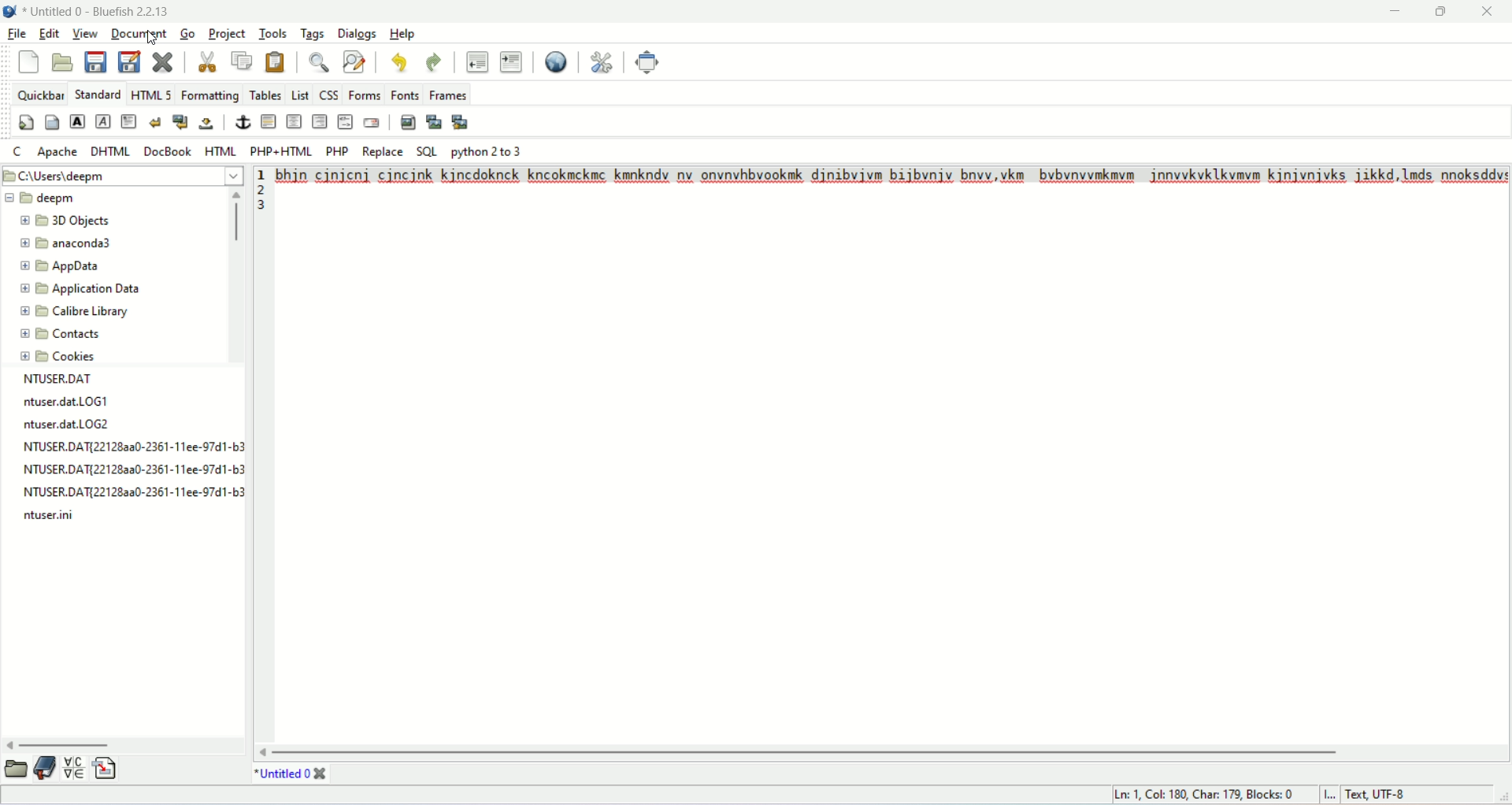 This screenshot has width=1512, height=805. Describe the element at coordinates (602, 62) in the screenshot. I see `edit preferences` at that location.